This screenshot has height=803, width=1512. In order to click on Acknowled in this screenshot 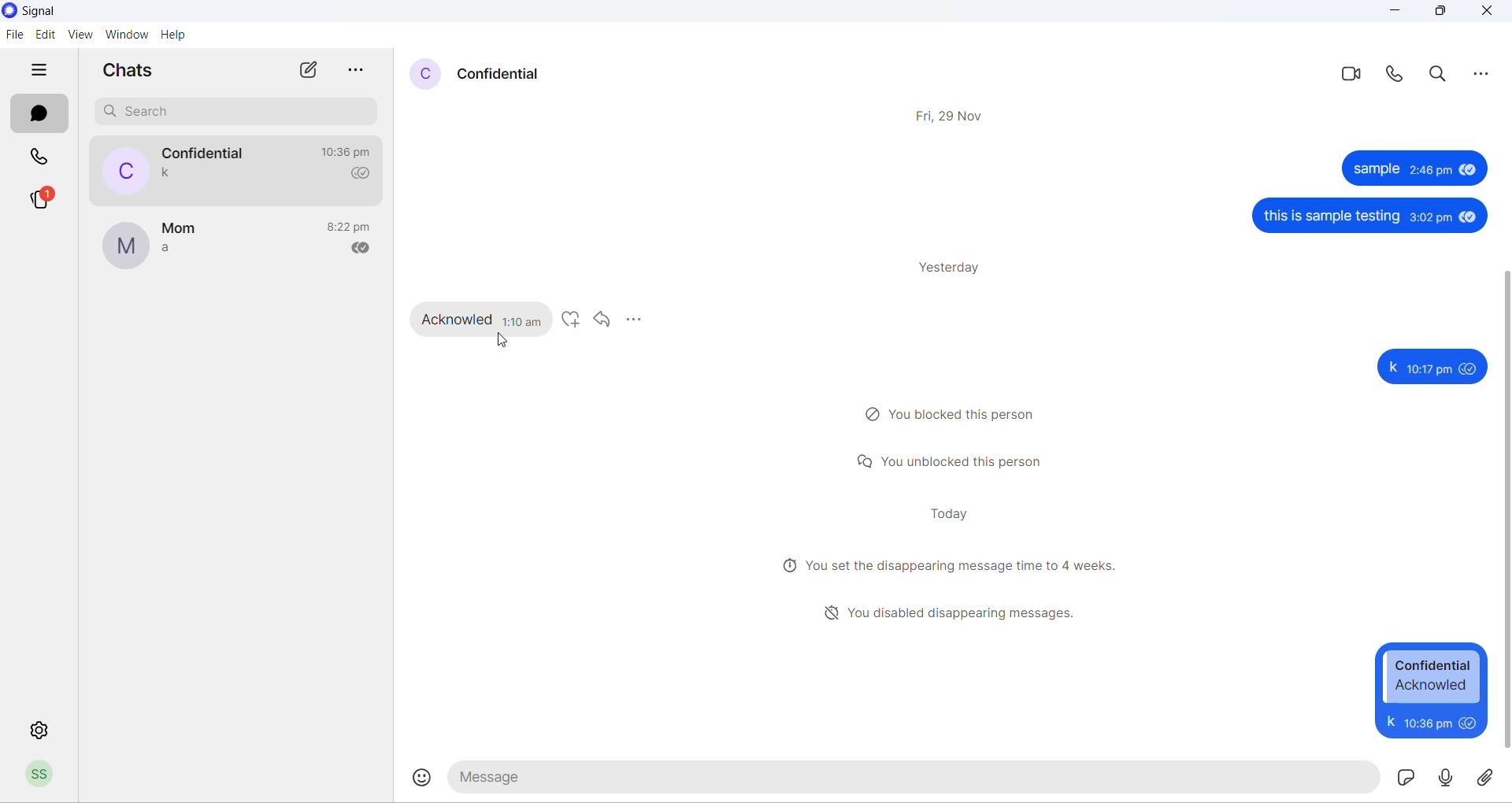, I will do `click(454, 320)`.